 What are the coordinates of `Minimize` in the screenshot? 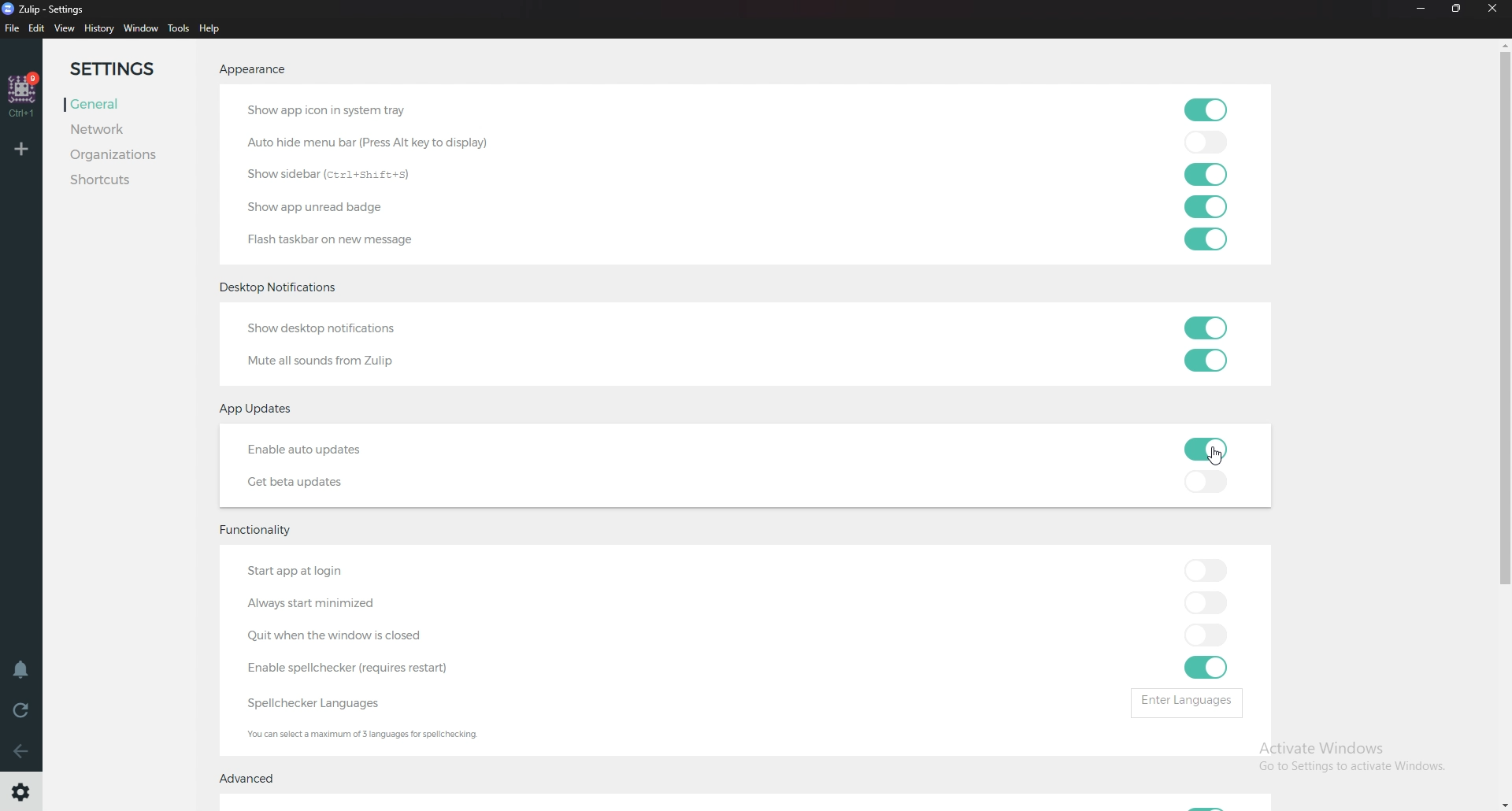 It's located at (1423, 9).